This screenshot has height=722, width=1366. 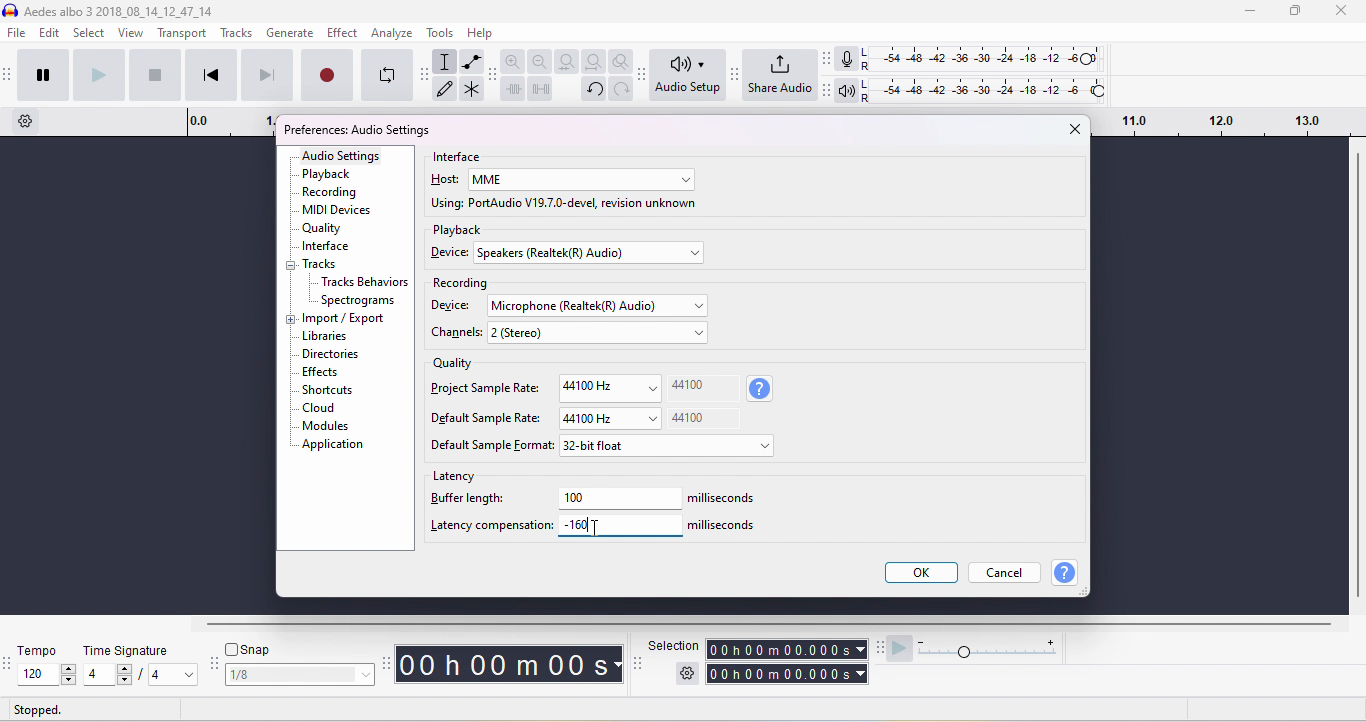 What do you see at coordinates (600, 335) in the screenshot?
I see `select channels` at bounding box center [600, 335].